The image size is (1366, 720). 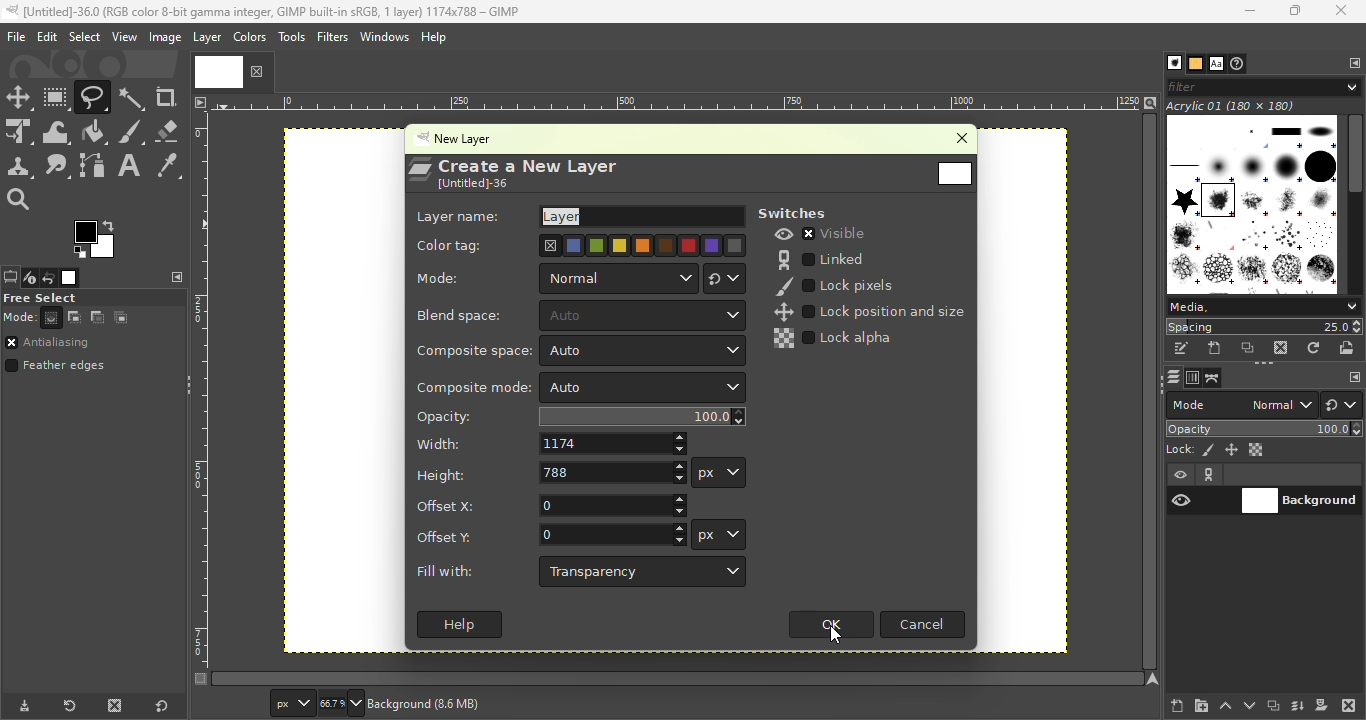 What do you see at coordinates (207, 40) in the screenshot?
I see `layer` at bounding box center [207, 40].